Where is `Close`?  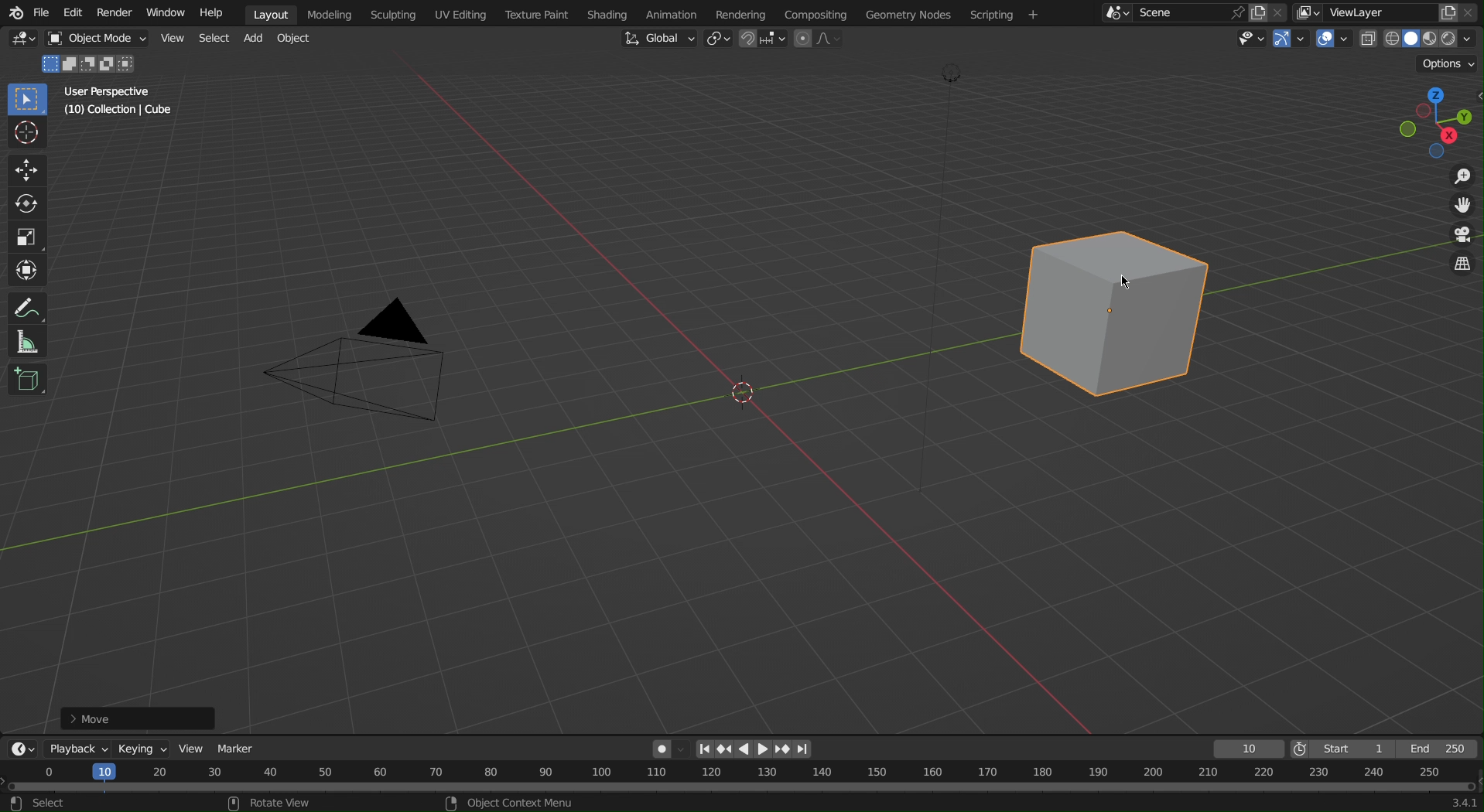
Close is located at coordinates (1473, 12).